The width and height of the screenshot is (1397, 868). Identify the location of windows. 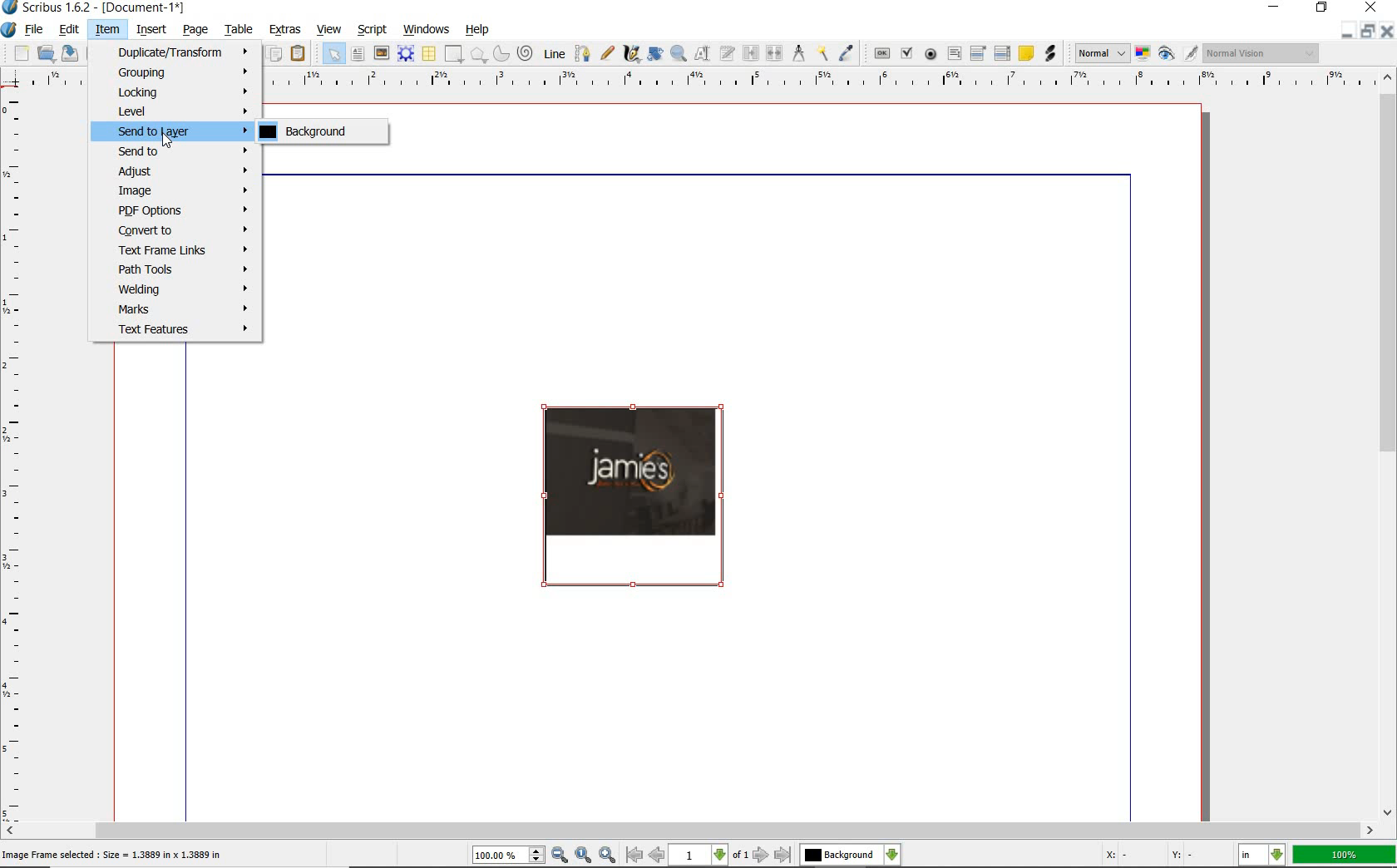
(429, 28).